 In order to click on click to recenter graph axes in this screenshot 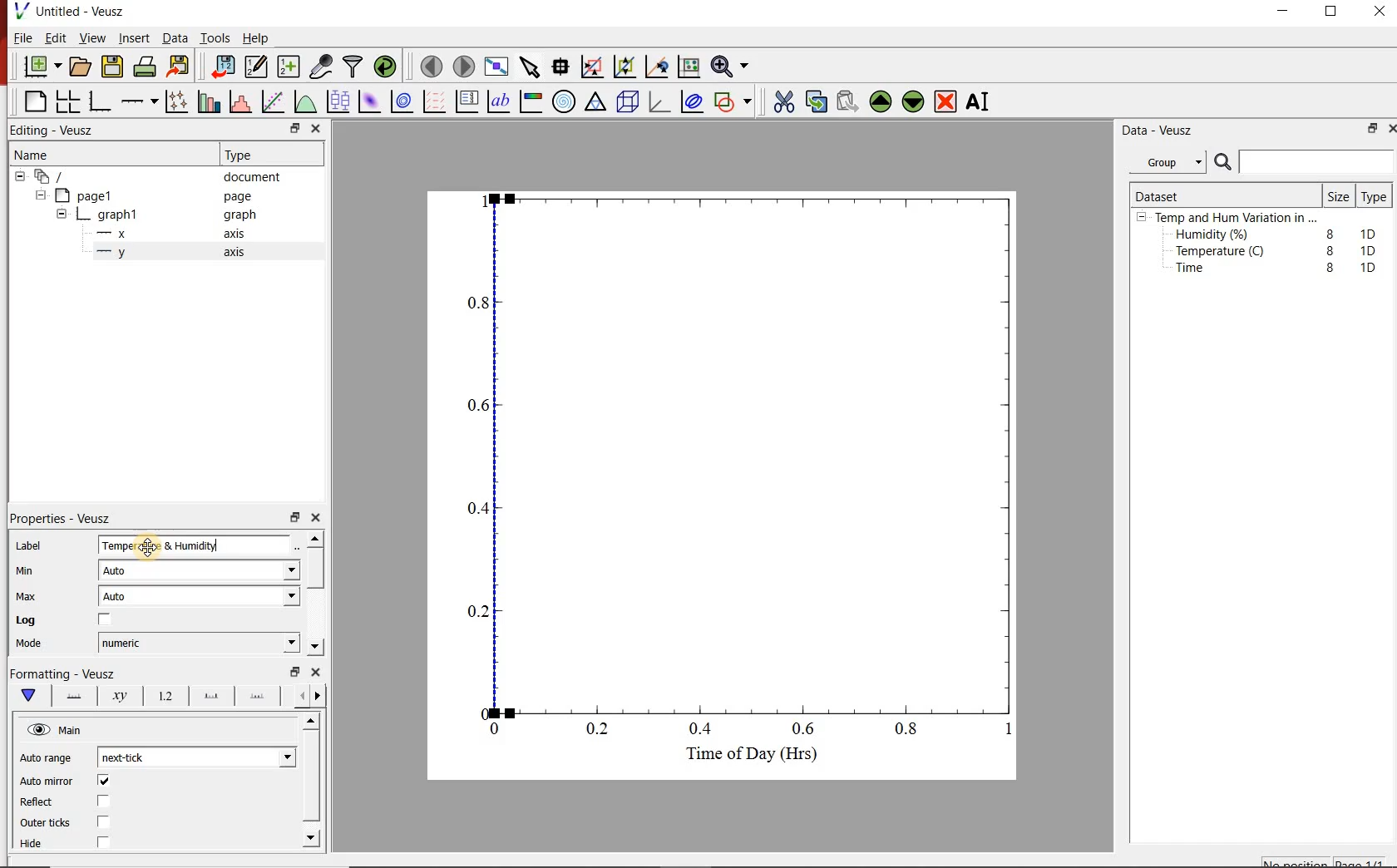, I will do `click(657, 67)`.